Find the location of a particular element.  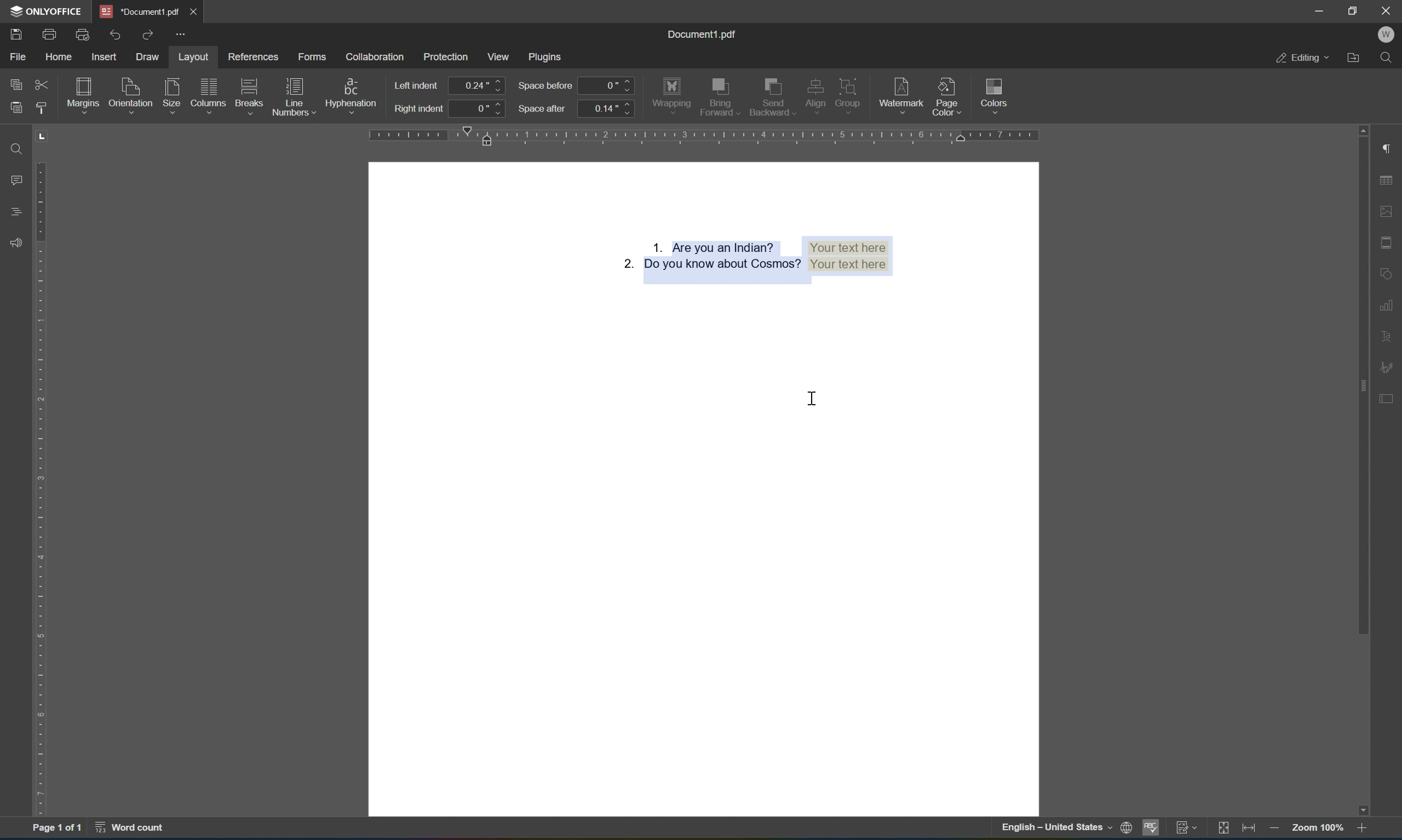

margins is located at coordinates (85, 93).